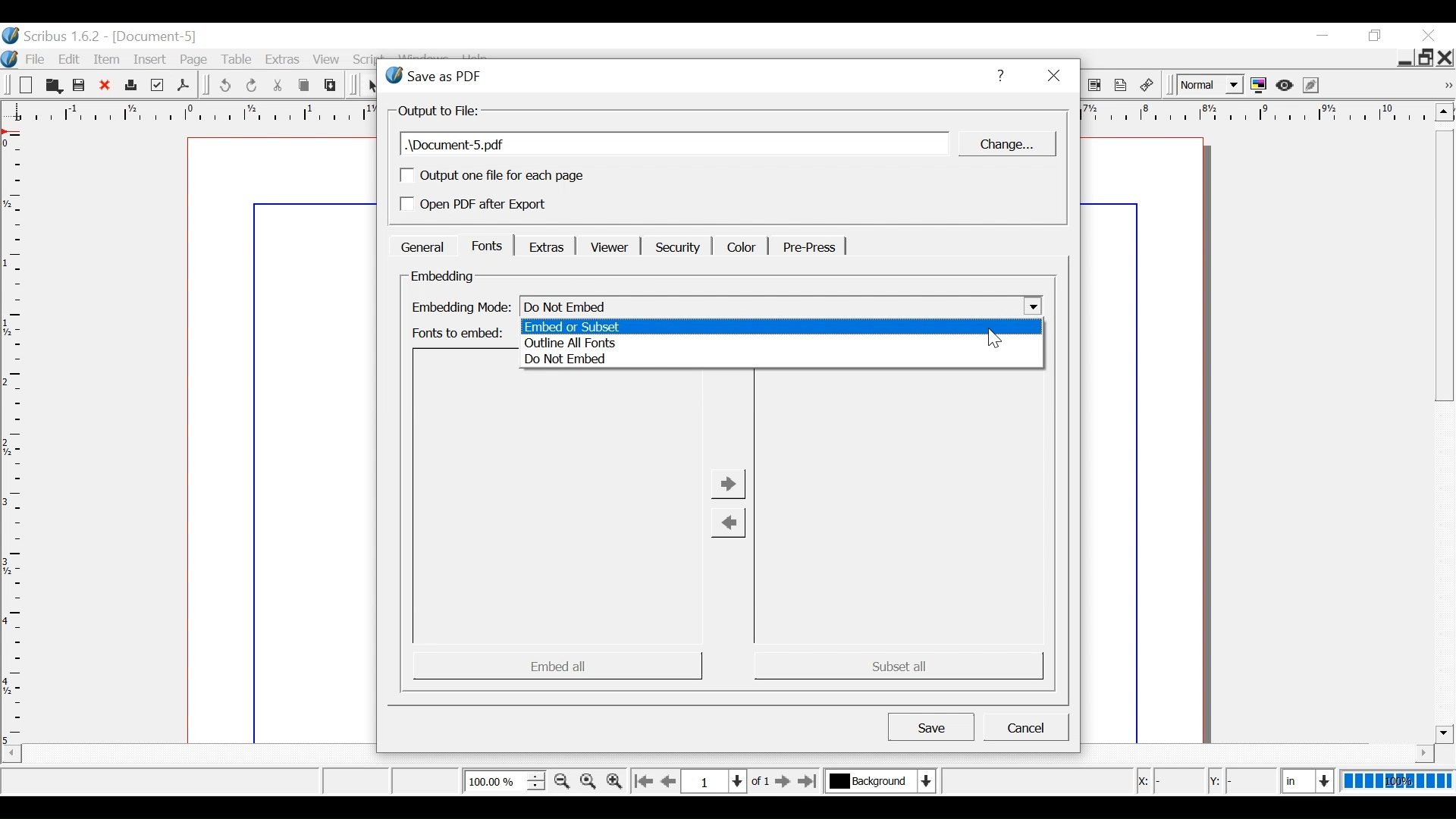  What do you see at coordinates (157, 86) in the screenshot?
I see `Prefilight Verifier` at bounding box center [157, 86].